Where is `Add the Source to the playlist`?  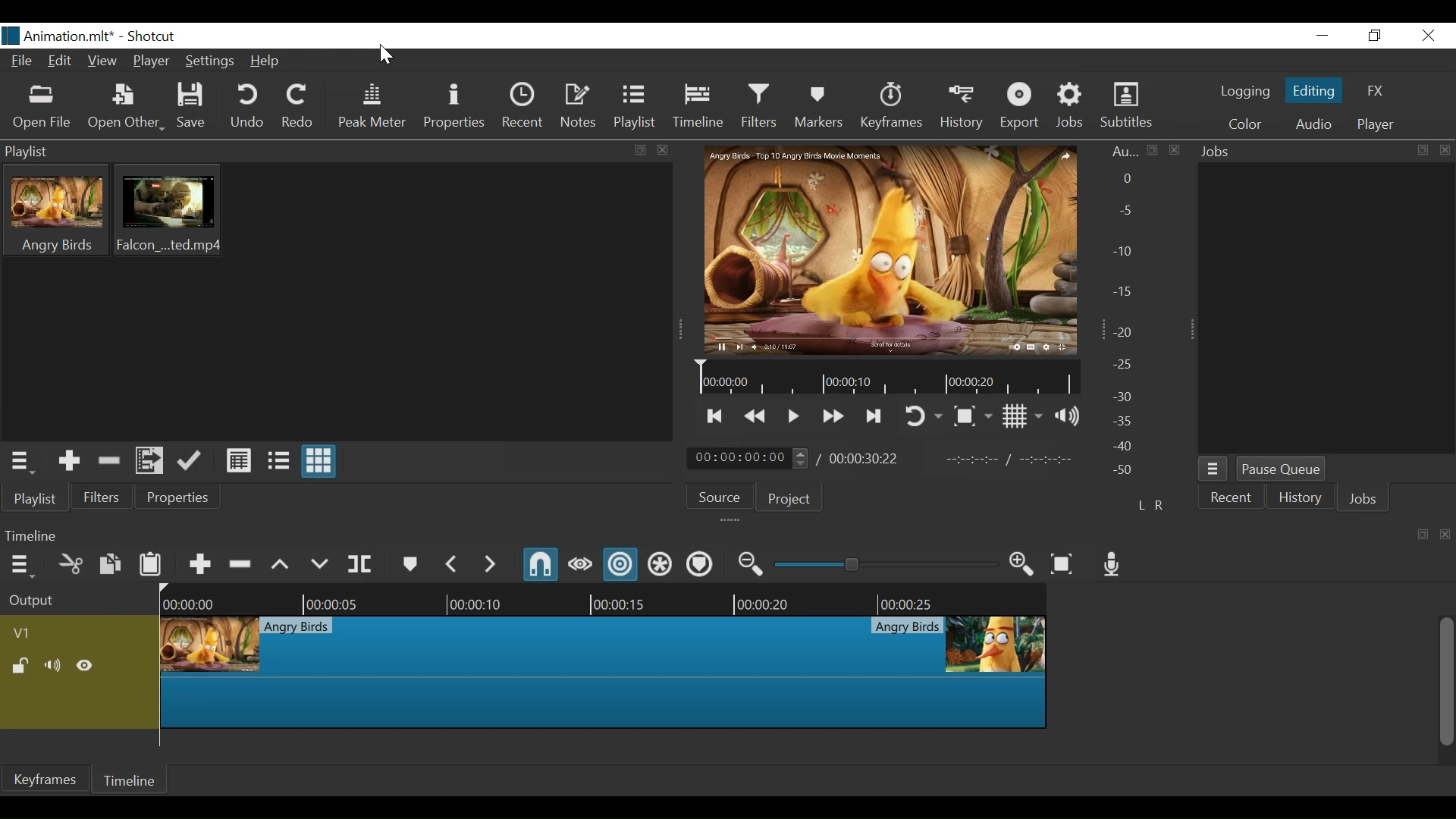
Add the Source to the playlist is located at coordinates (67, 460).